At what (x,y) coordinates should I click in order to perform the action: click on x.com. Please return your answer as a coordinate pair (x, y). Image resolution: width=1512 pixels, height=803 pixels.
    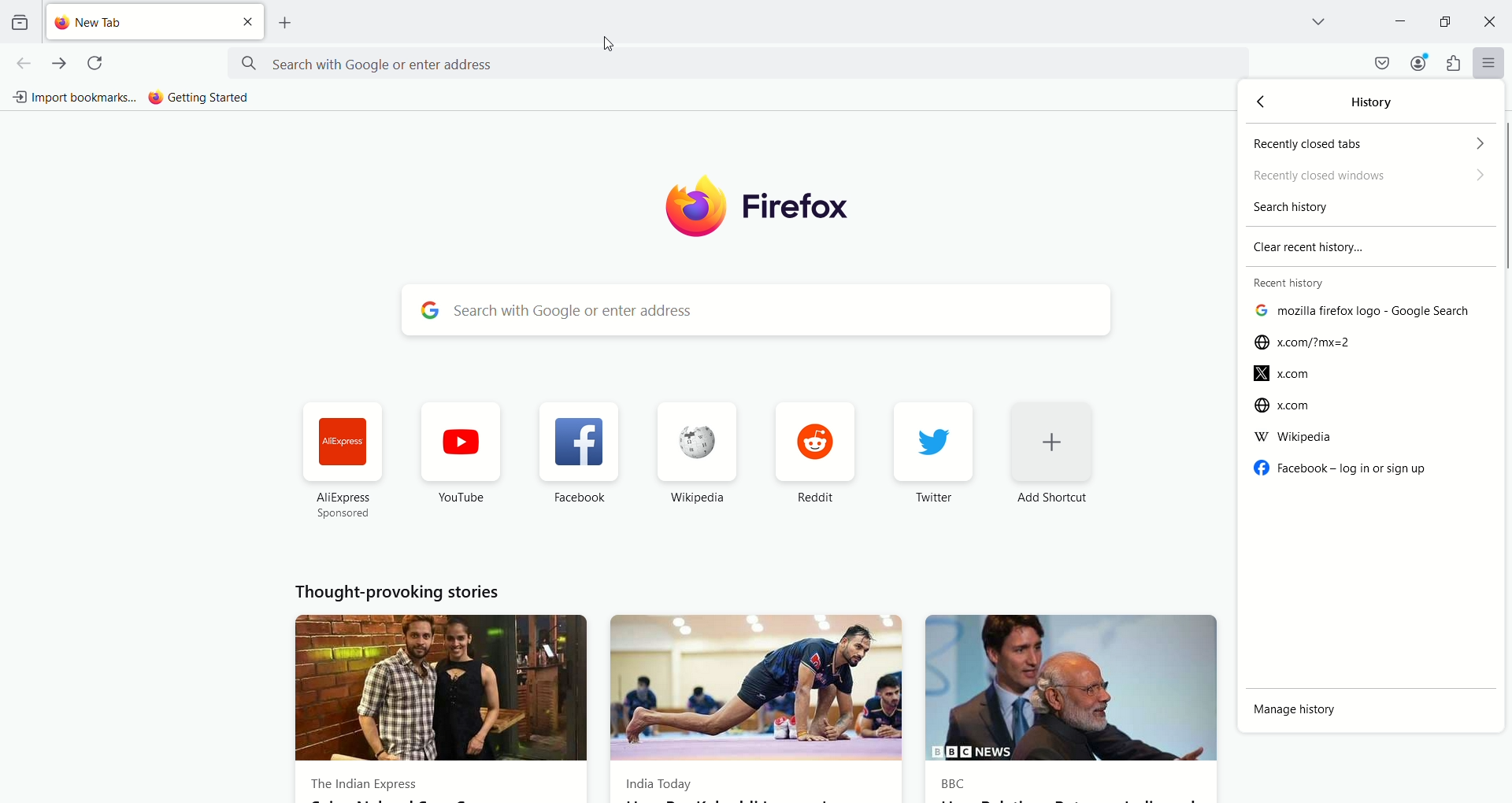
    Looking at the image, I should click on (1282, 373).